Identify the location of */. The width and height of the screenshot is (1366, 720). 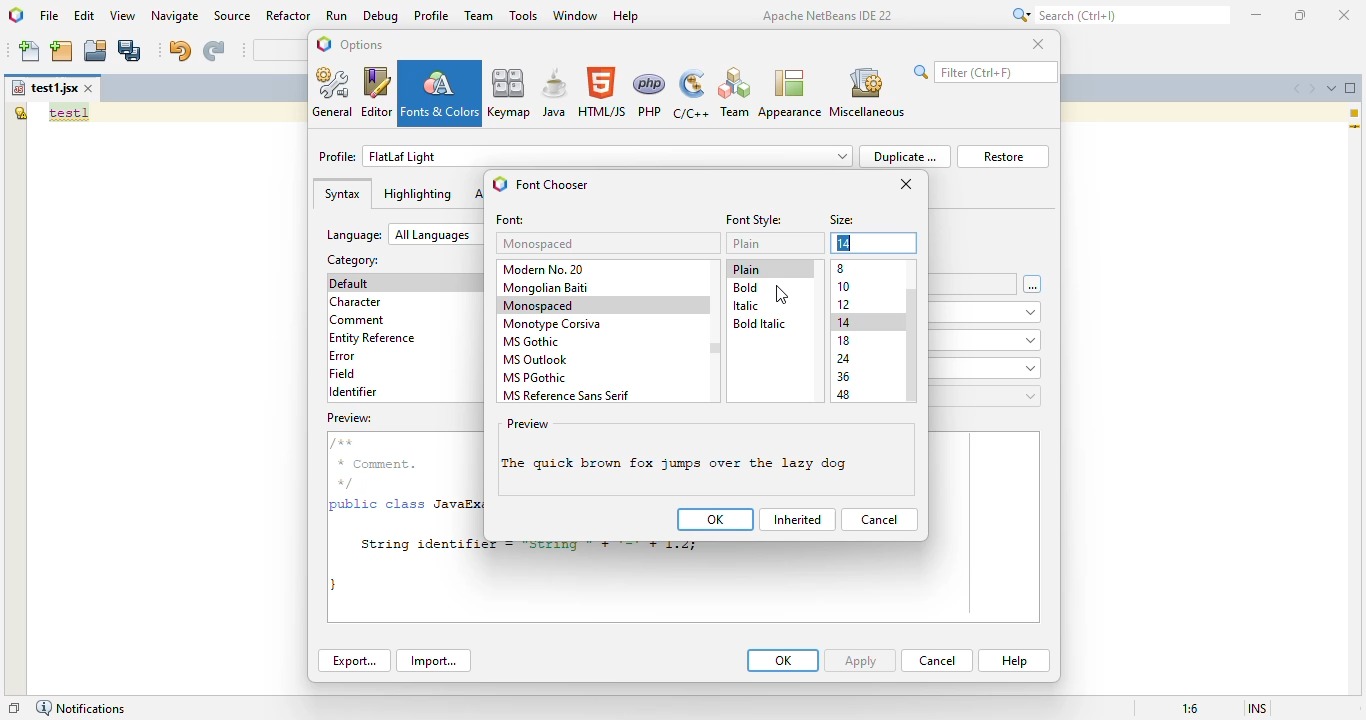
(351, 482).